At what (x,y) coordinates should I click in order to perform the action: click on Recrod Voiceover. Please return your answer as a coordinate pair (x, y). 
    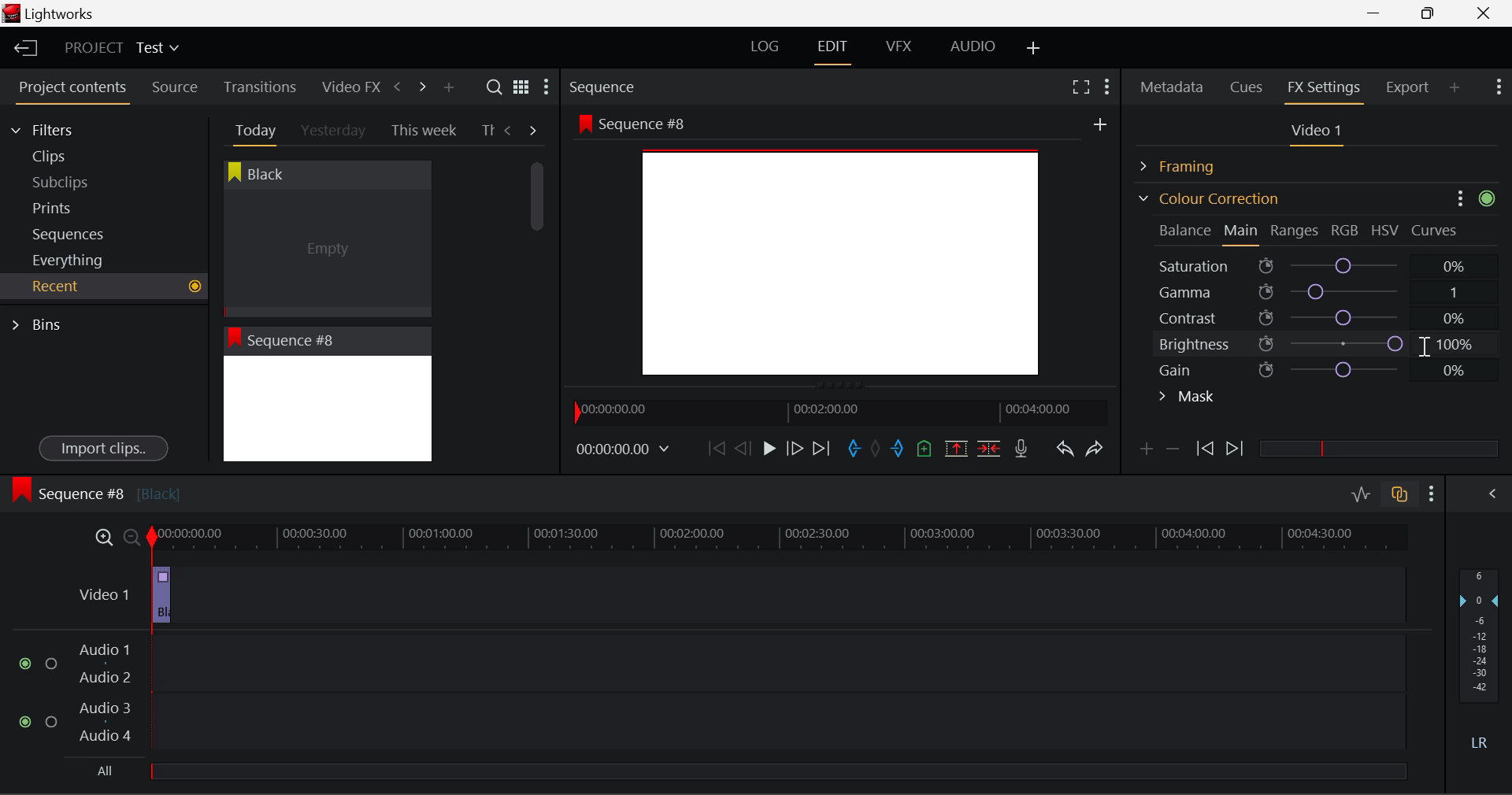
    Looking at the image, I should click on (1021, 448).